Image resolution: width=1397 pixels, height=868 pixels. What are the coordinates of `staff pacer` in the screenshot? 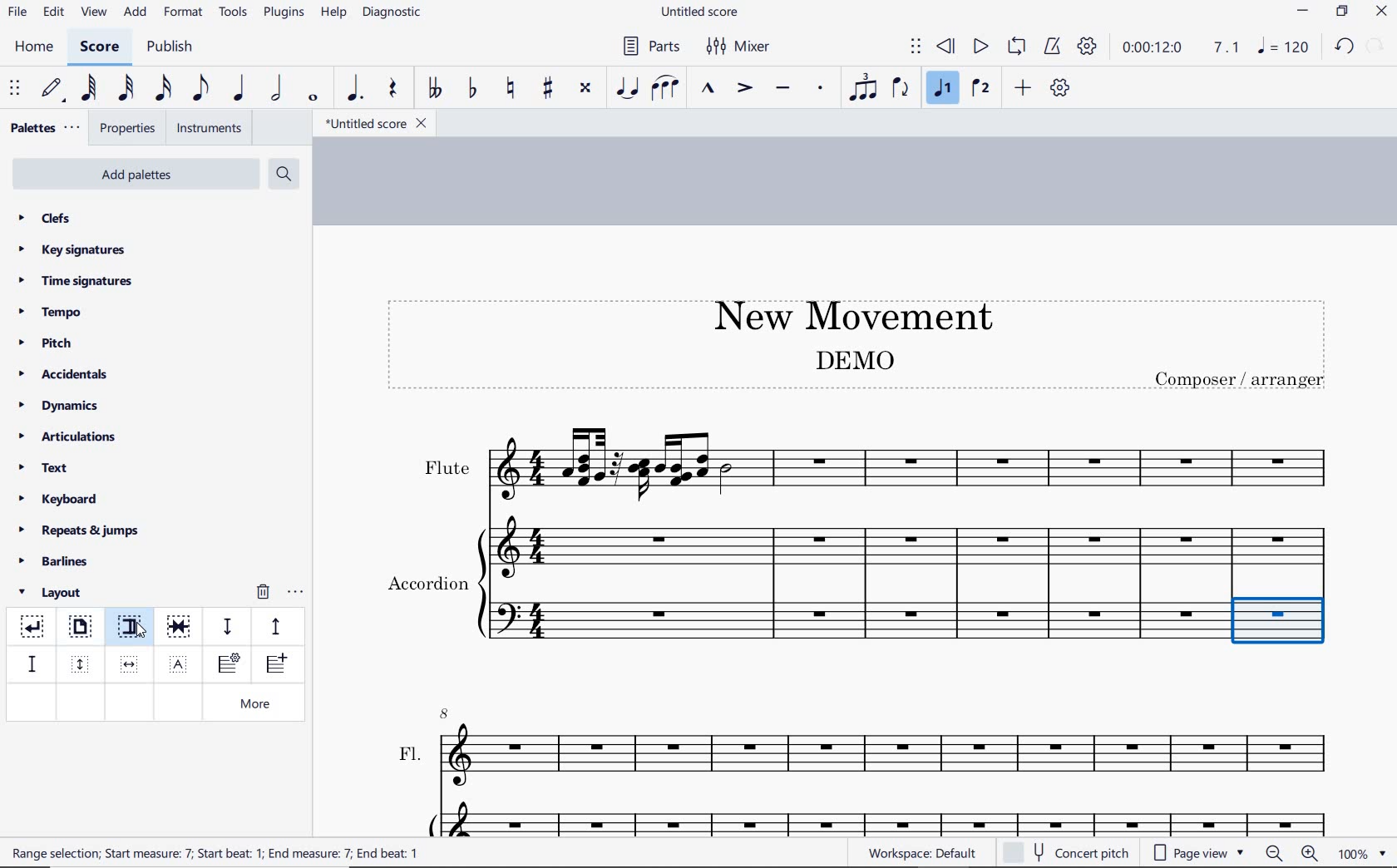 It's located at (274, 625).